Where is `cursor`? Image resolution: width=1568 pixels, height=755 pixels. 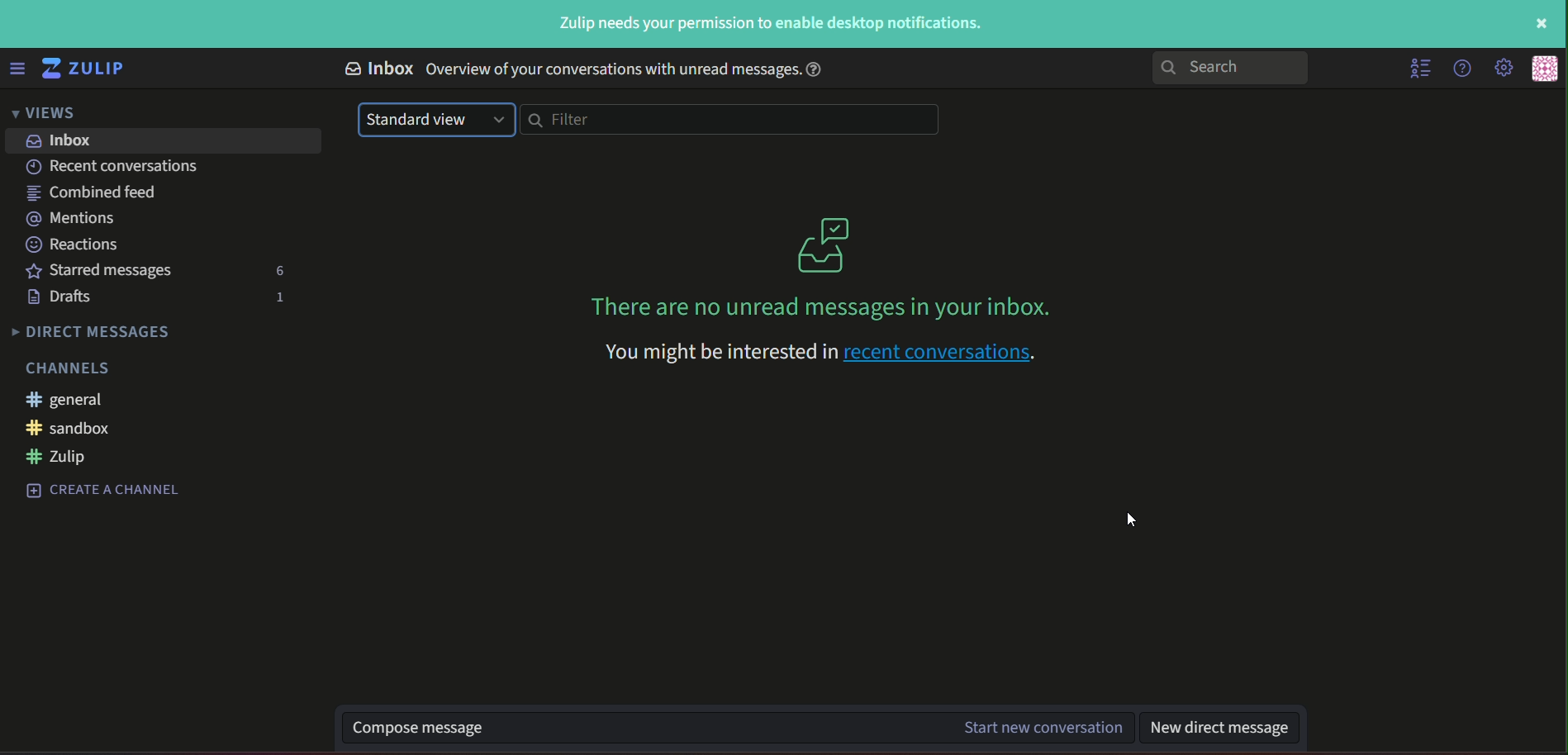 cursor is located at coordinates (1131, 520).